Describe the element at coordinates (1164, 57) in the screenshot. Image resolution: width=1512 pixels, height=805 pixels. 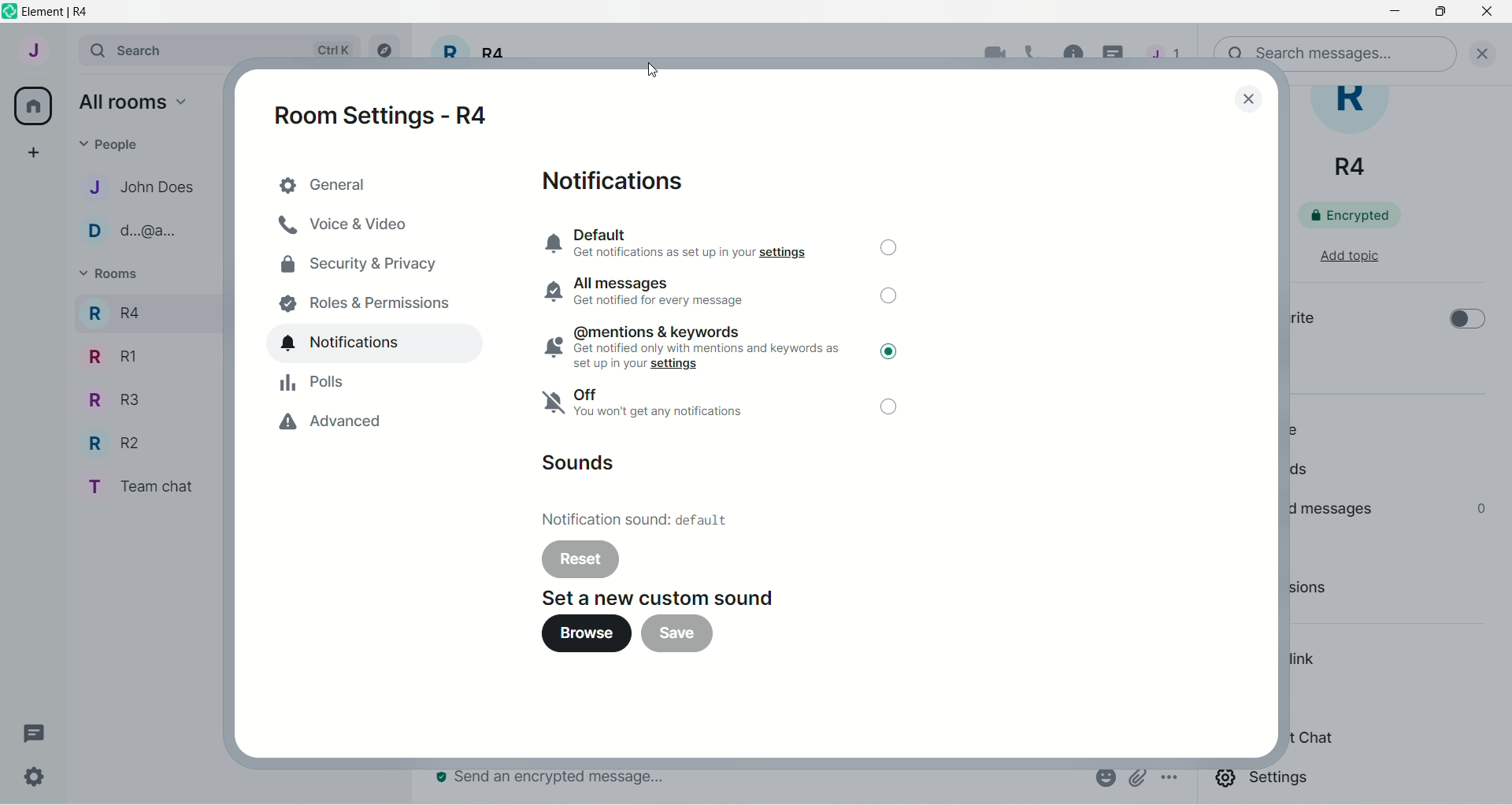
I see `threads` at that location.